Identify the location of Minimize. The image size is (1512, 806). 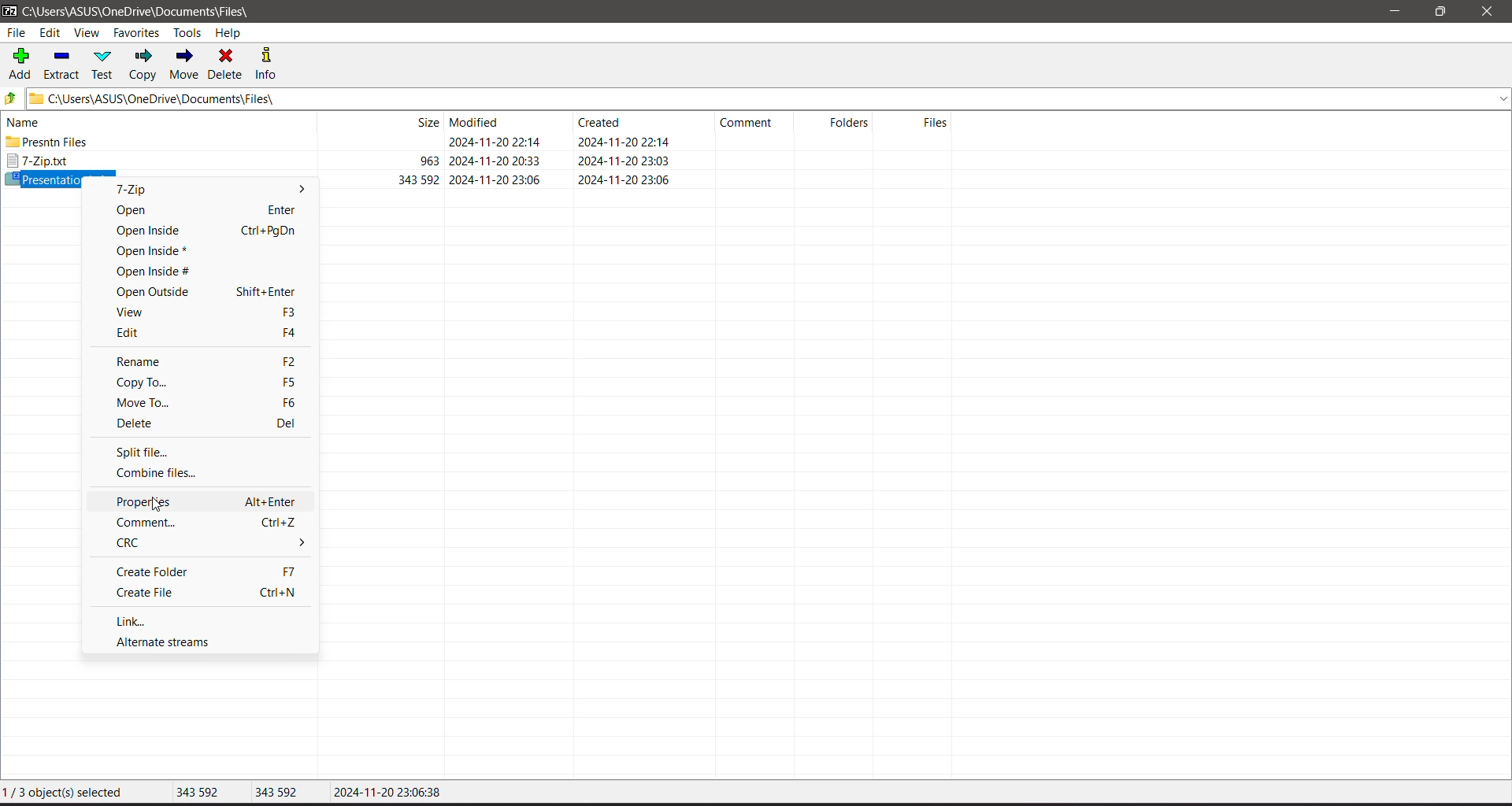
(1395, 12).